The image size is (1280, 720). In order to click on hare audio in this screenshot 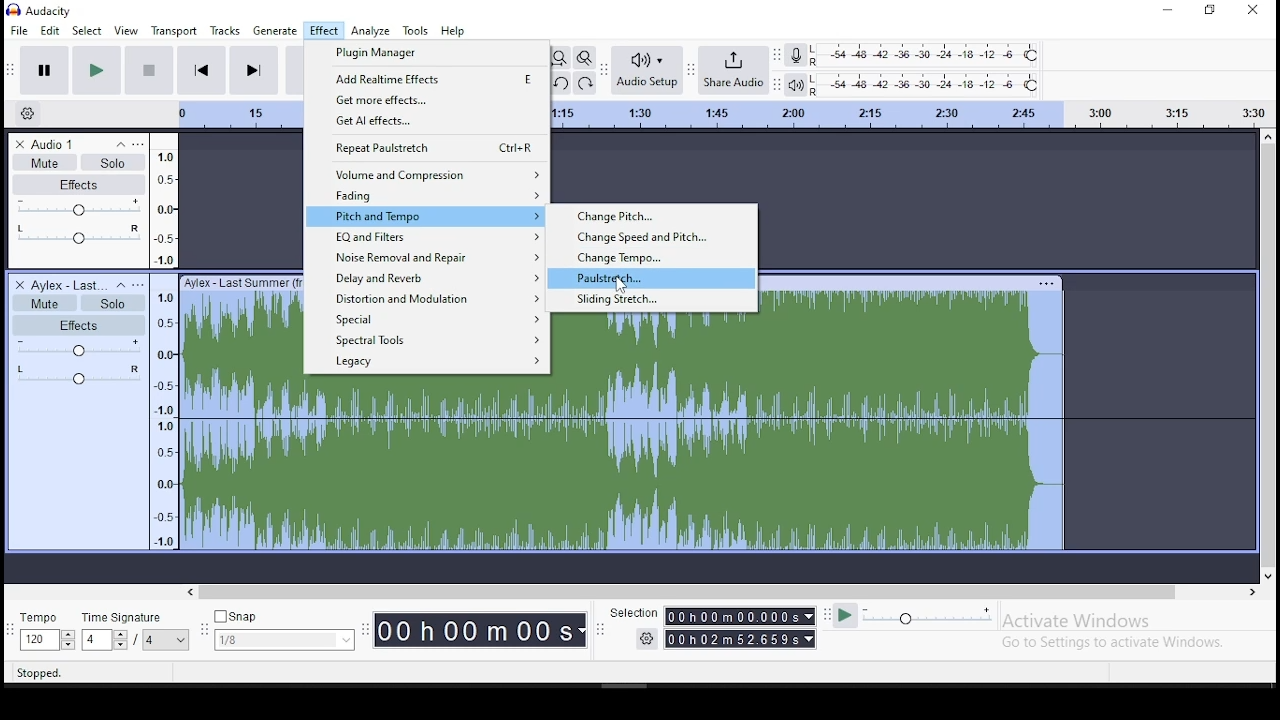, I will do `click(735, 71)`.